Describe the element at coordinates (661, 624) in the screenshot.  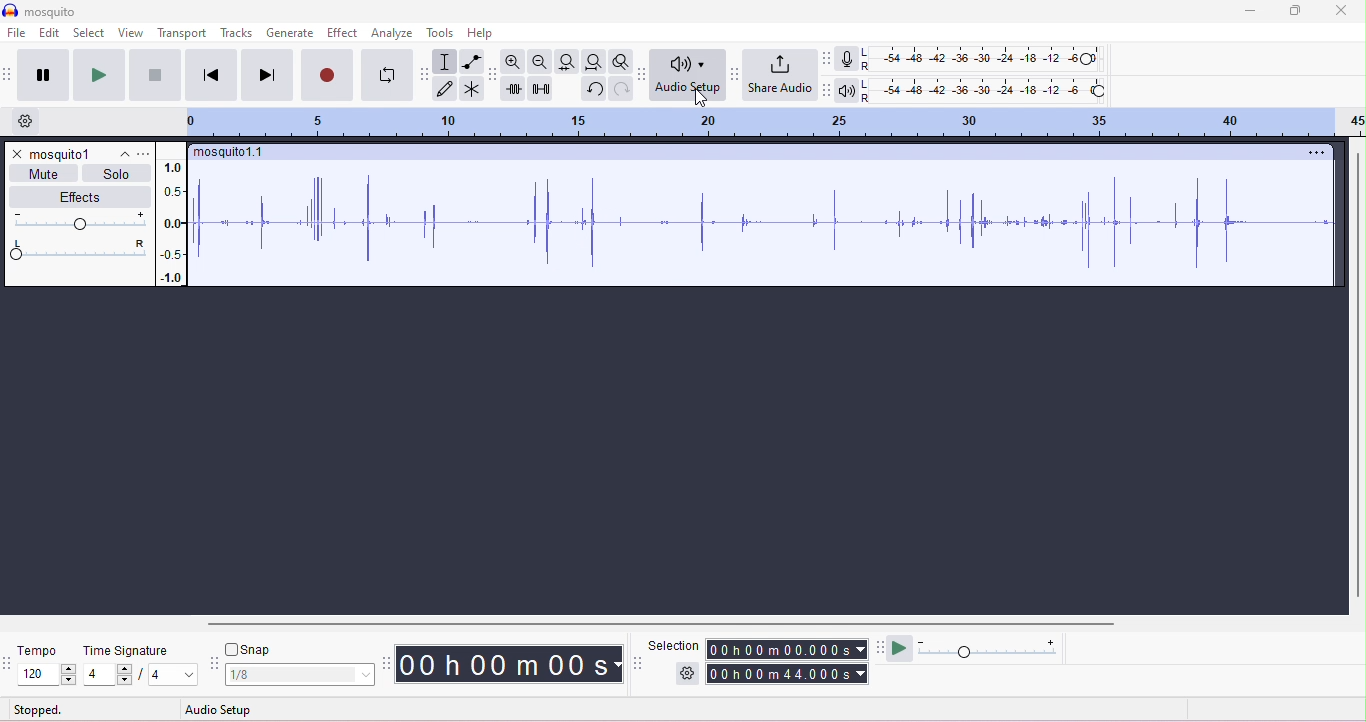
I see `horizontal scroll bar` at that location.